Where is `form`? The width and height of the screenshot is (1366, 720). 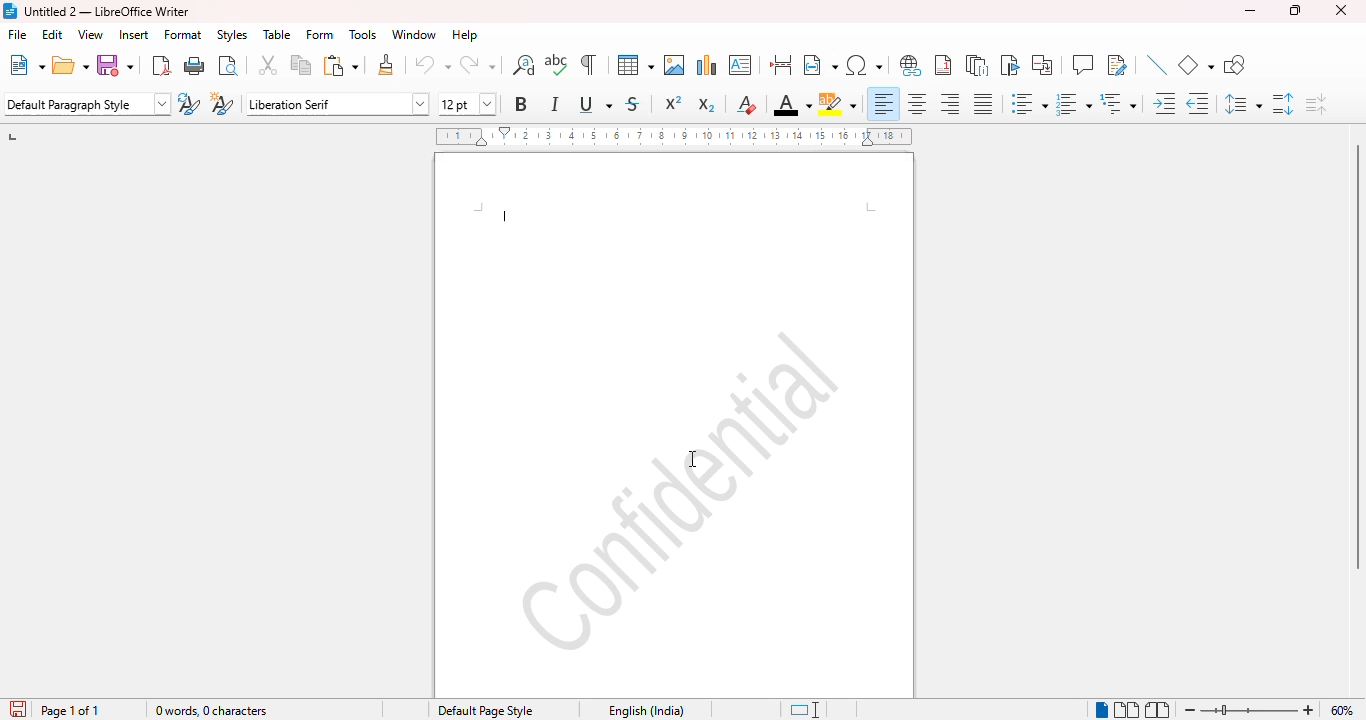 form is located at coordinates (320, 34).